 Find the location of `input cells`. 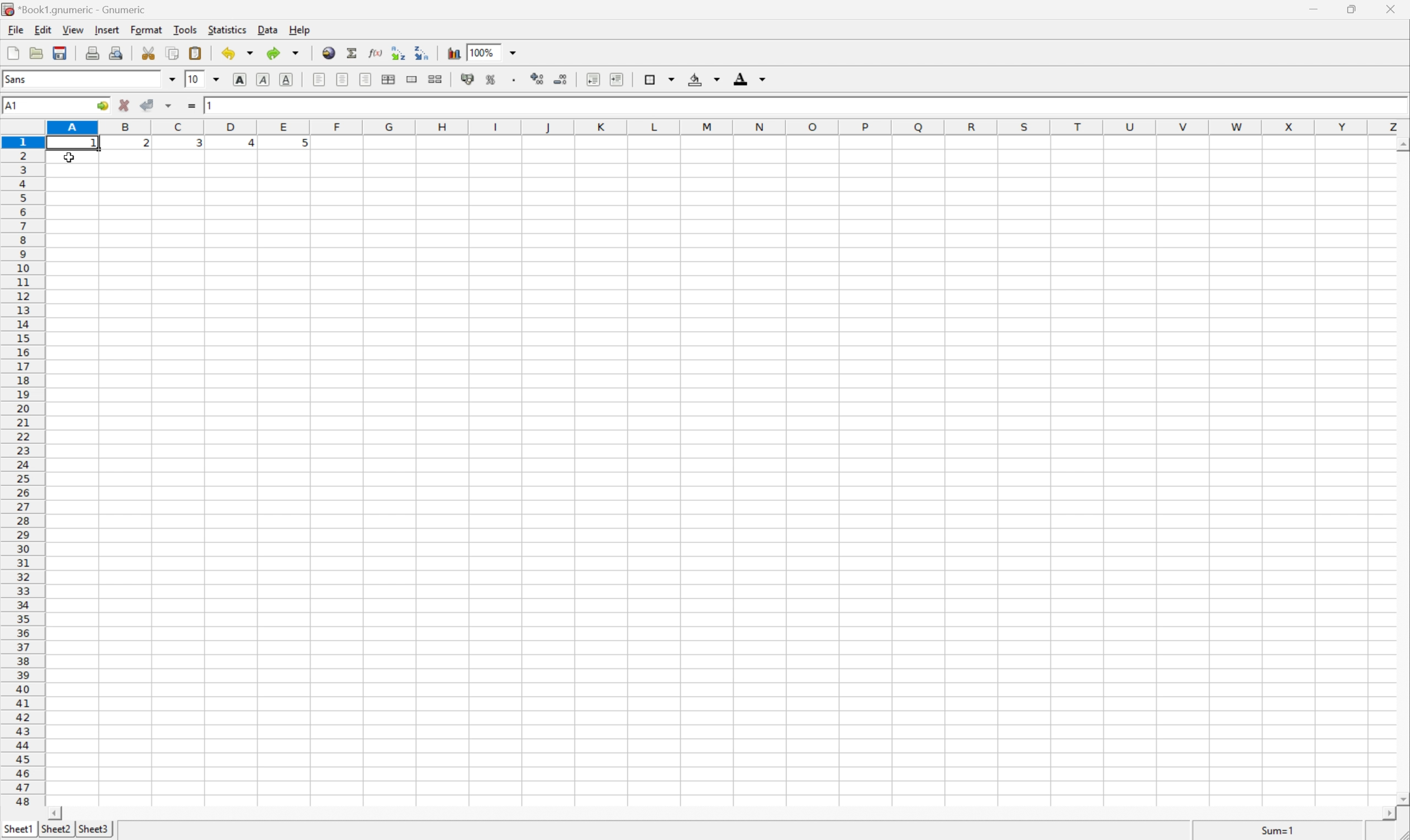

input cells is located at coordinates (721, 479).